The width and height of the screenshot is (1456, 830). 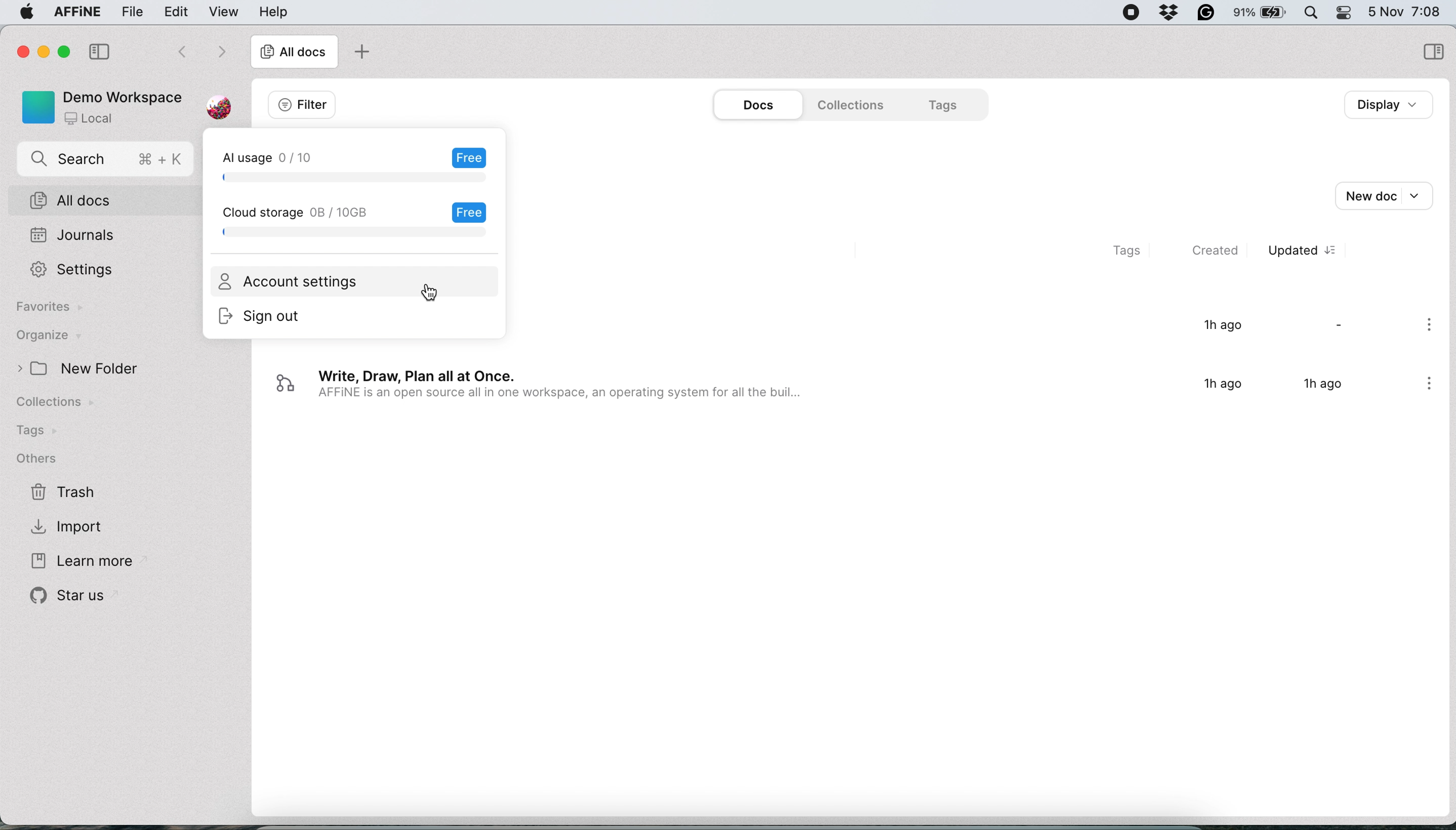 I want to click on screen recorder, so click(x=1132, y=13).